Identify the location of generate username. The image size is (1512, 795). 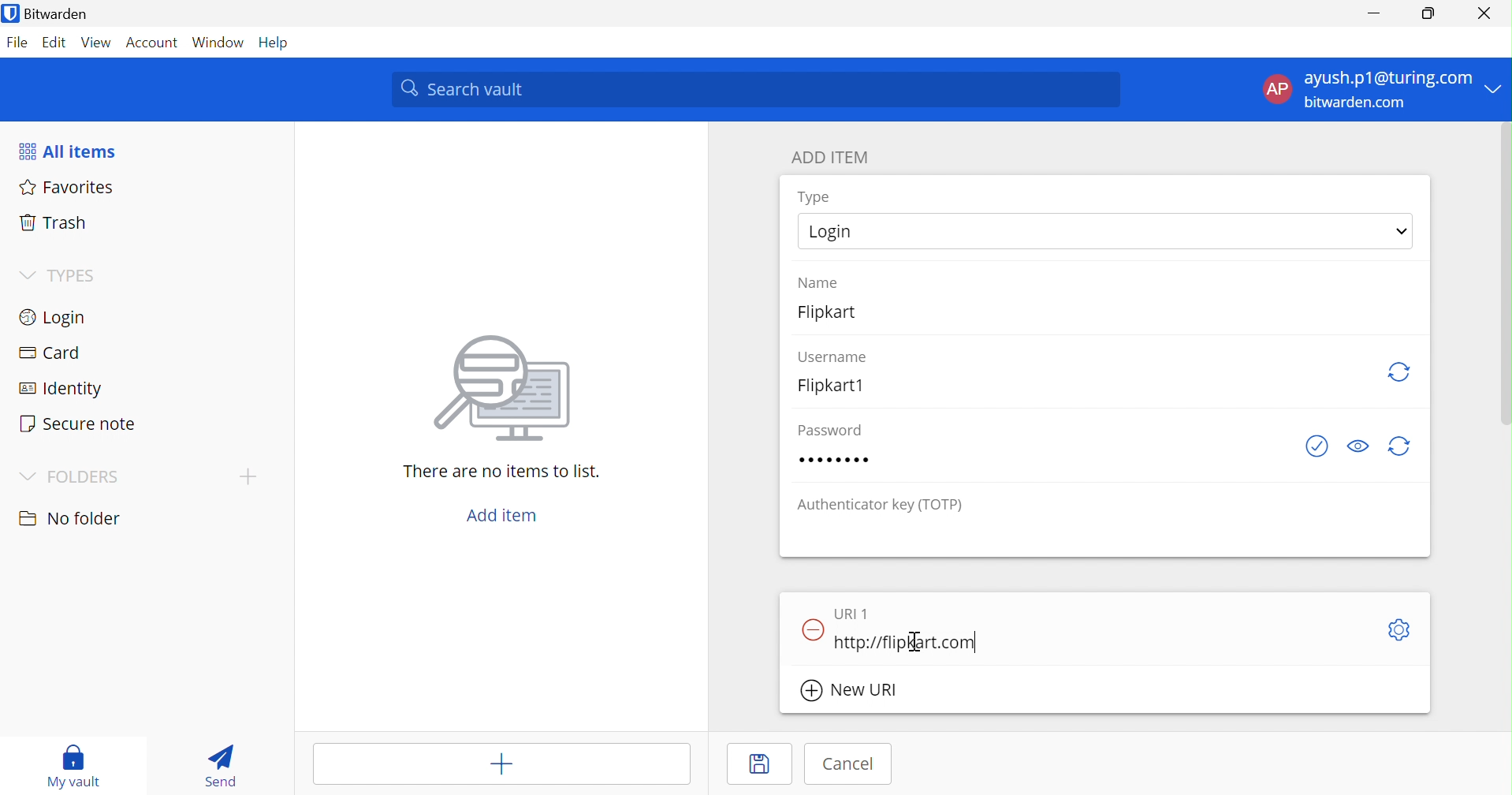
(1400, 370).